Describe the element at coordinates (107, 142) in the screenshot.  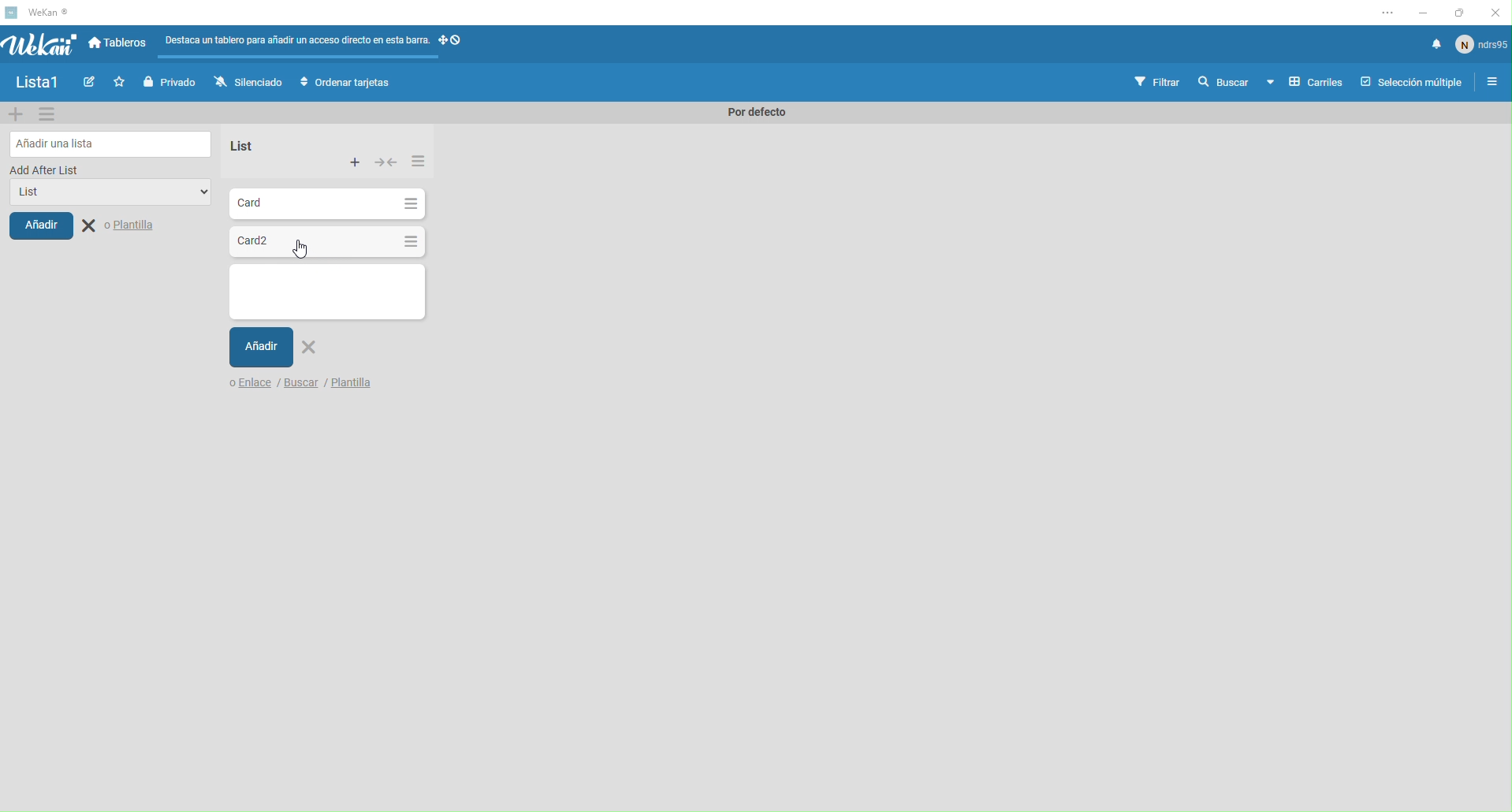
I see `añadir lista` at that location.